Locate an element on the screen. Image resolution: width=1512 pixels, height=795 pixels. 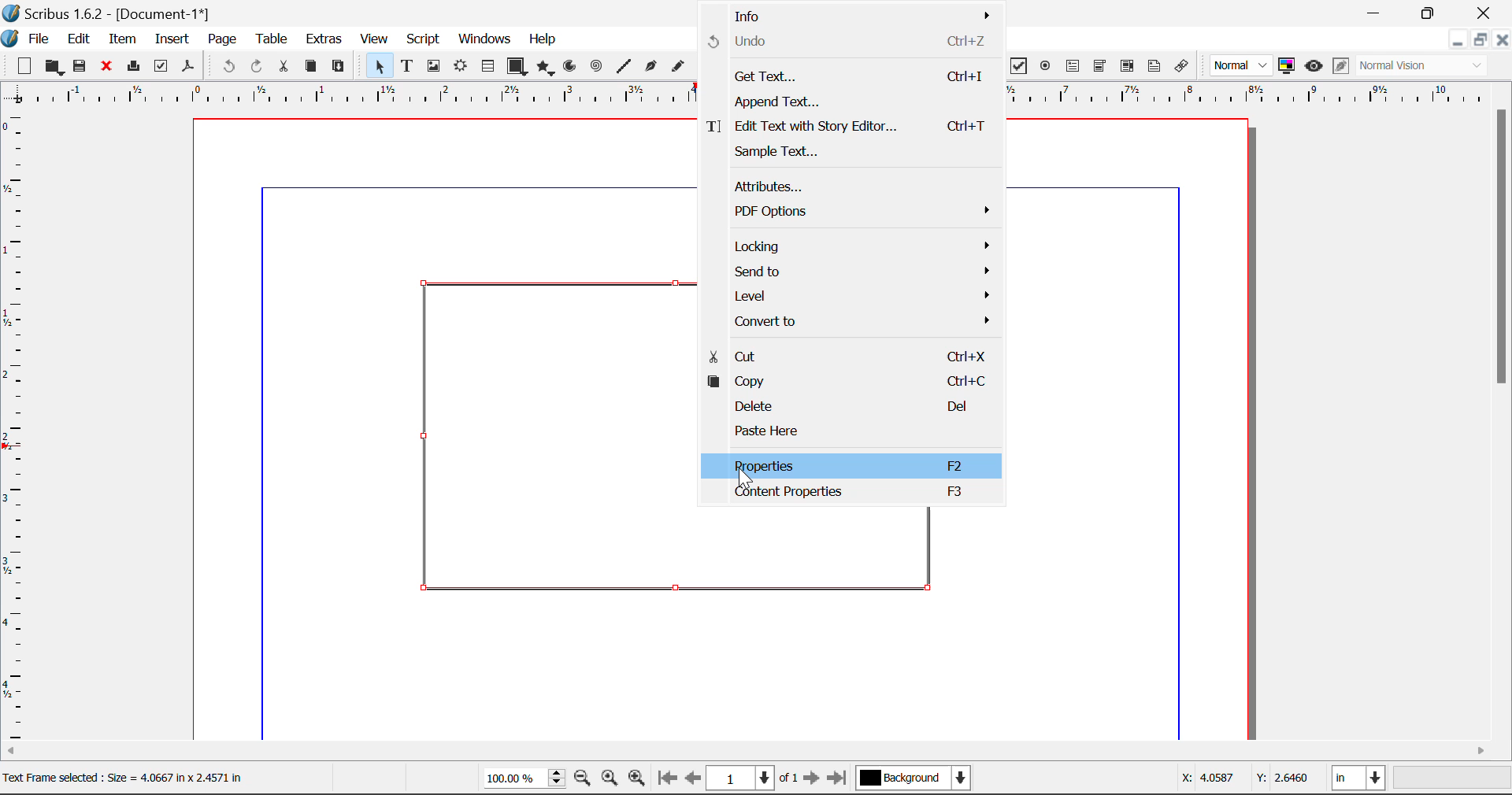
Insert is located at coordinates (171, 39).